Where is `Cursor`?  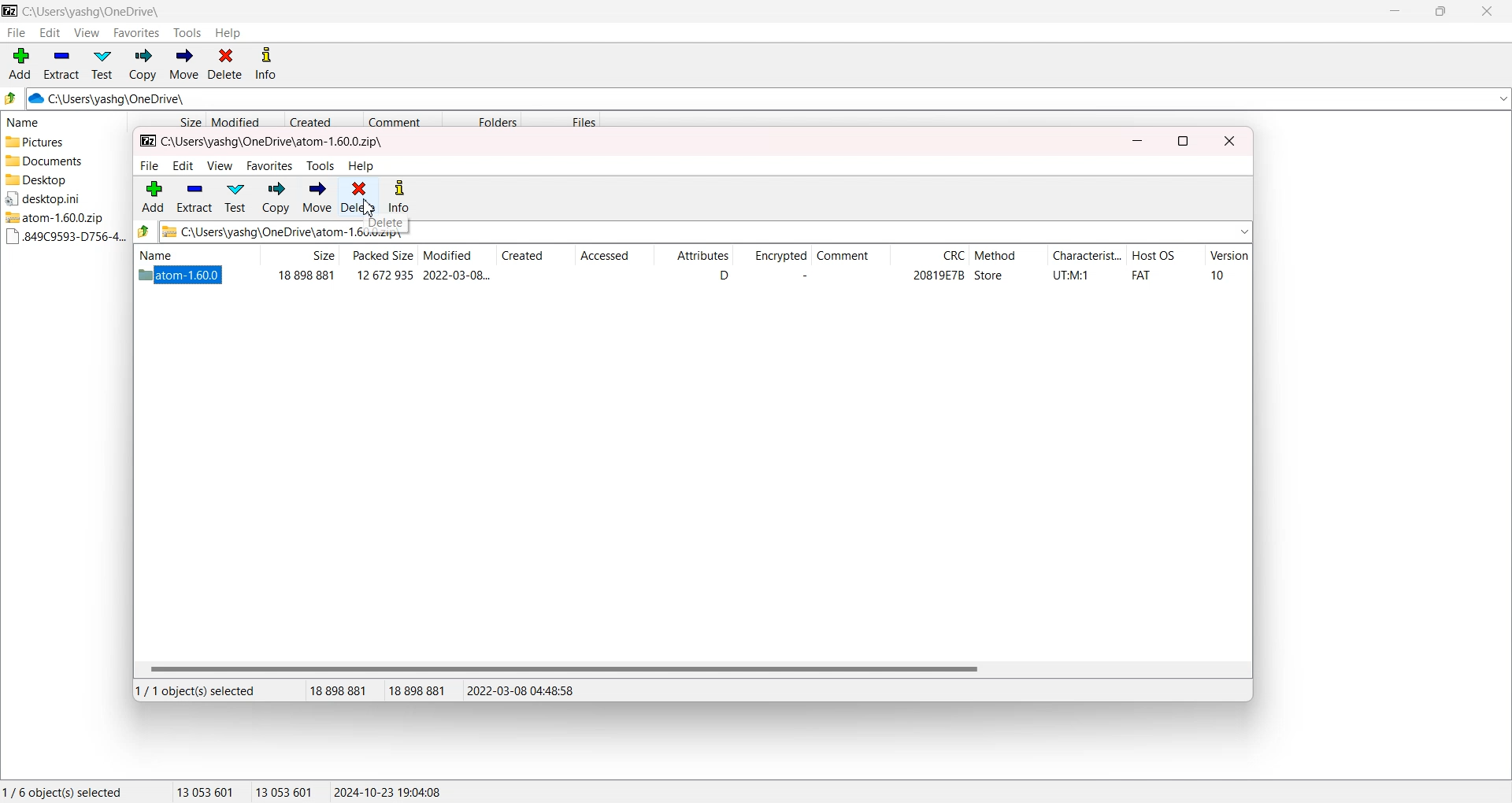 Cursor is located at coordinates (369, 206).